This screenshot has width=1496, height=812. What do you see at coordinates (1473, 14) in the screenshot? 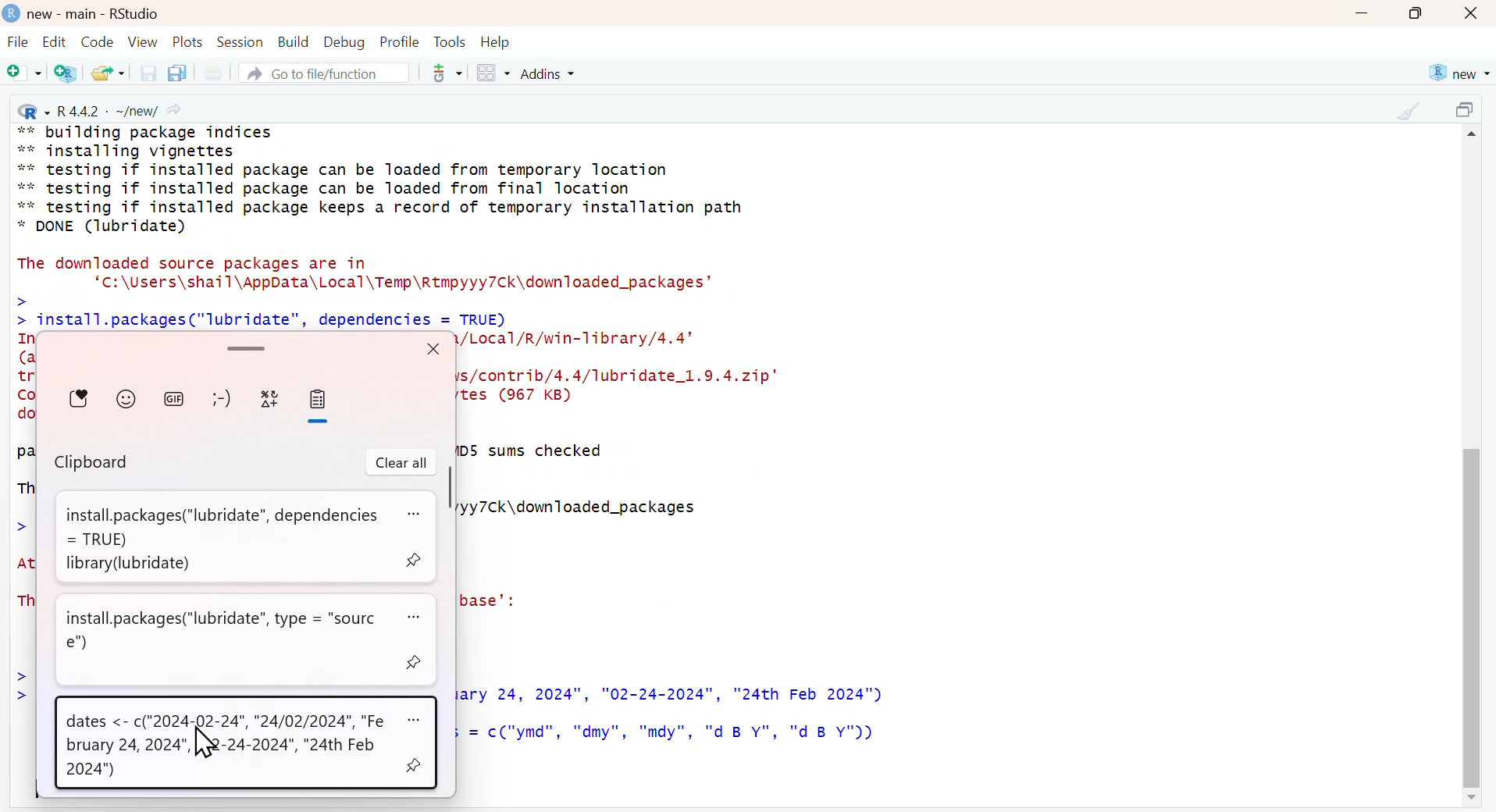
I see `close` at bounding box center [1473, 14].